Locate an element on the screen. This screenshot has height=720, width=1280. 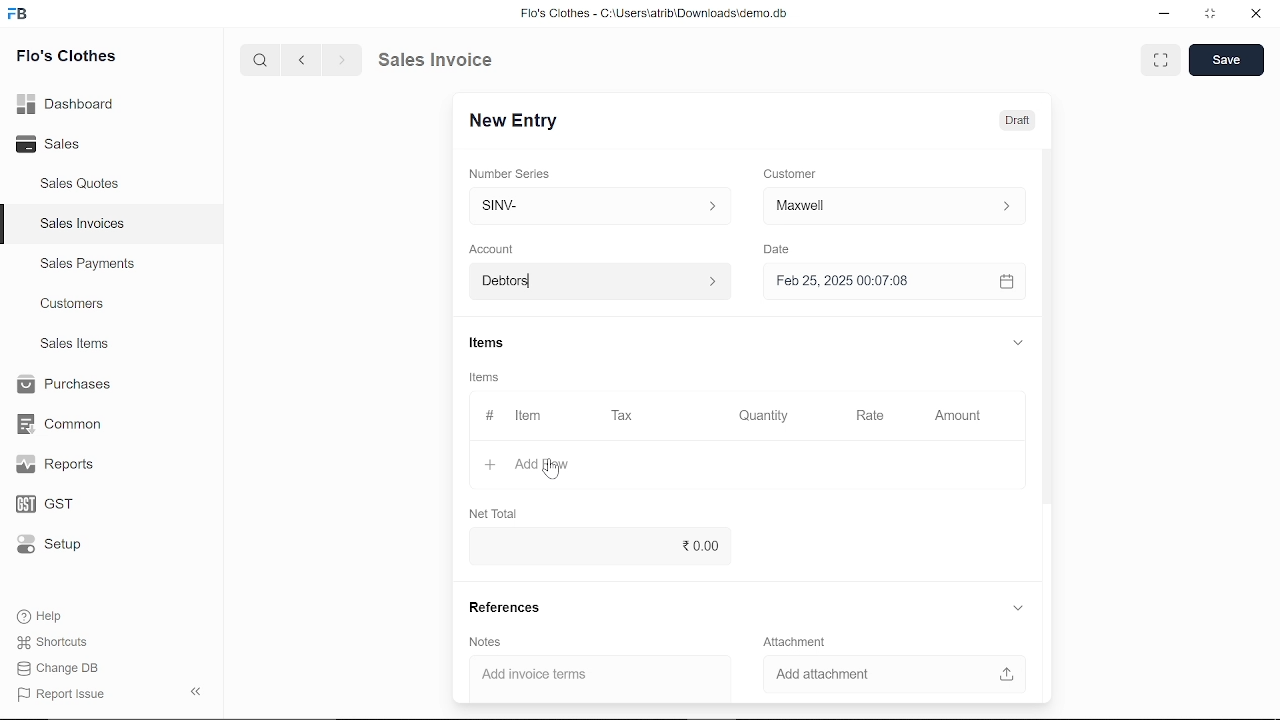
Net Total is located at coordinates (490, 513).